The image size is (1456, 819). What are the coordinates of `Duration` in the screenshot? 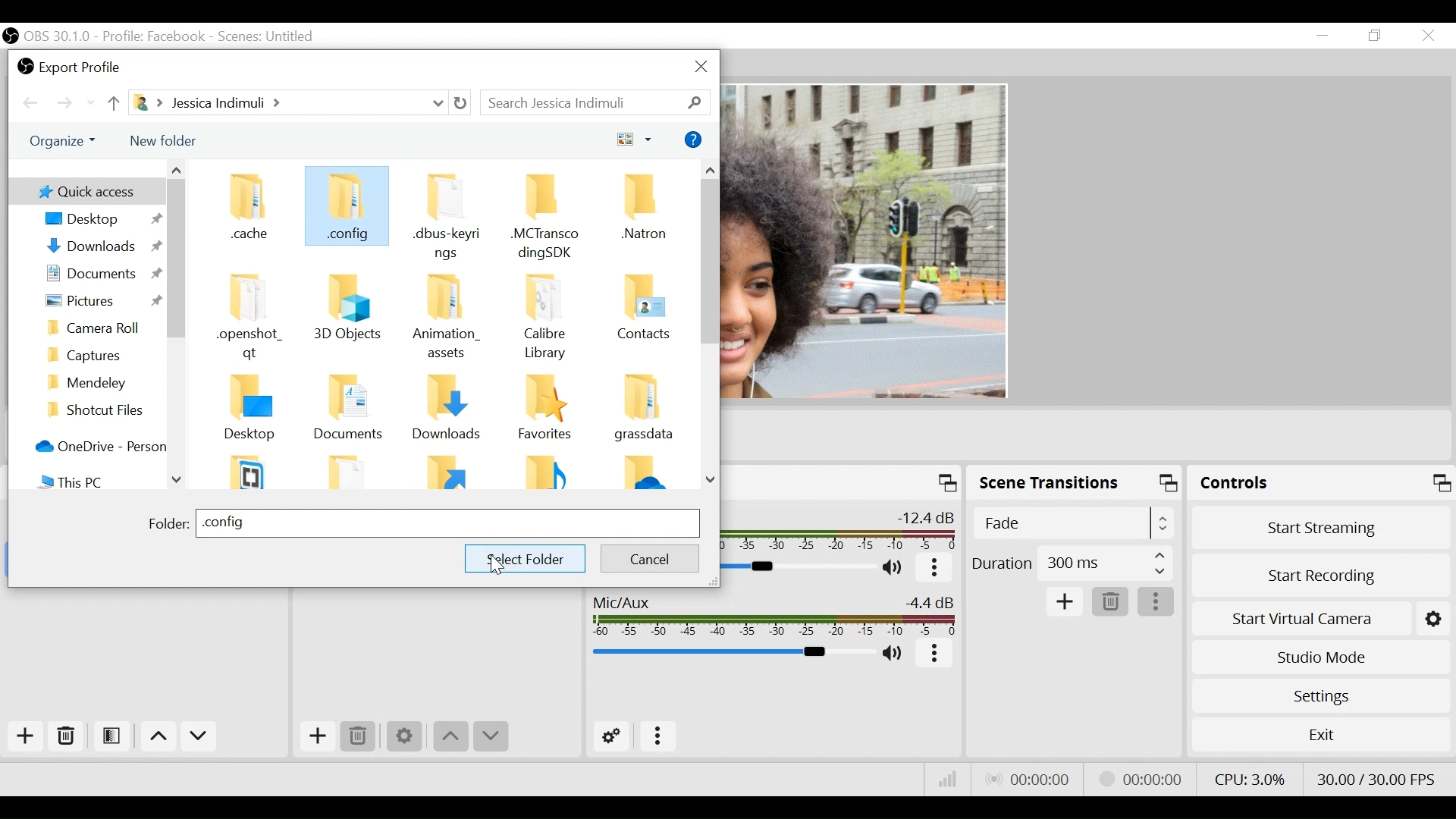 It's located at (1072, 566).